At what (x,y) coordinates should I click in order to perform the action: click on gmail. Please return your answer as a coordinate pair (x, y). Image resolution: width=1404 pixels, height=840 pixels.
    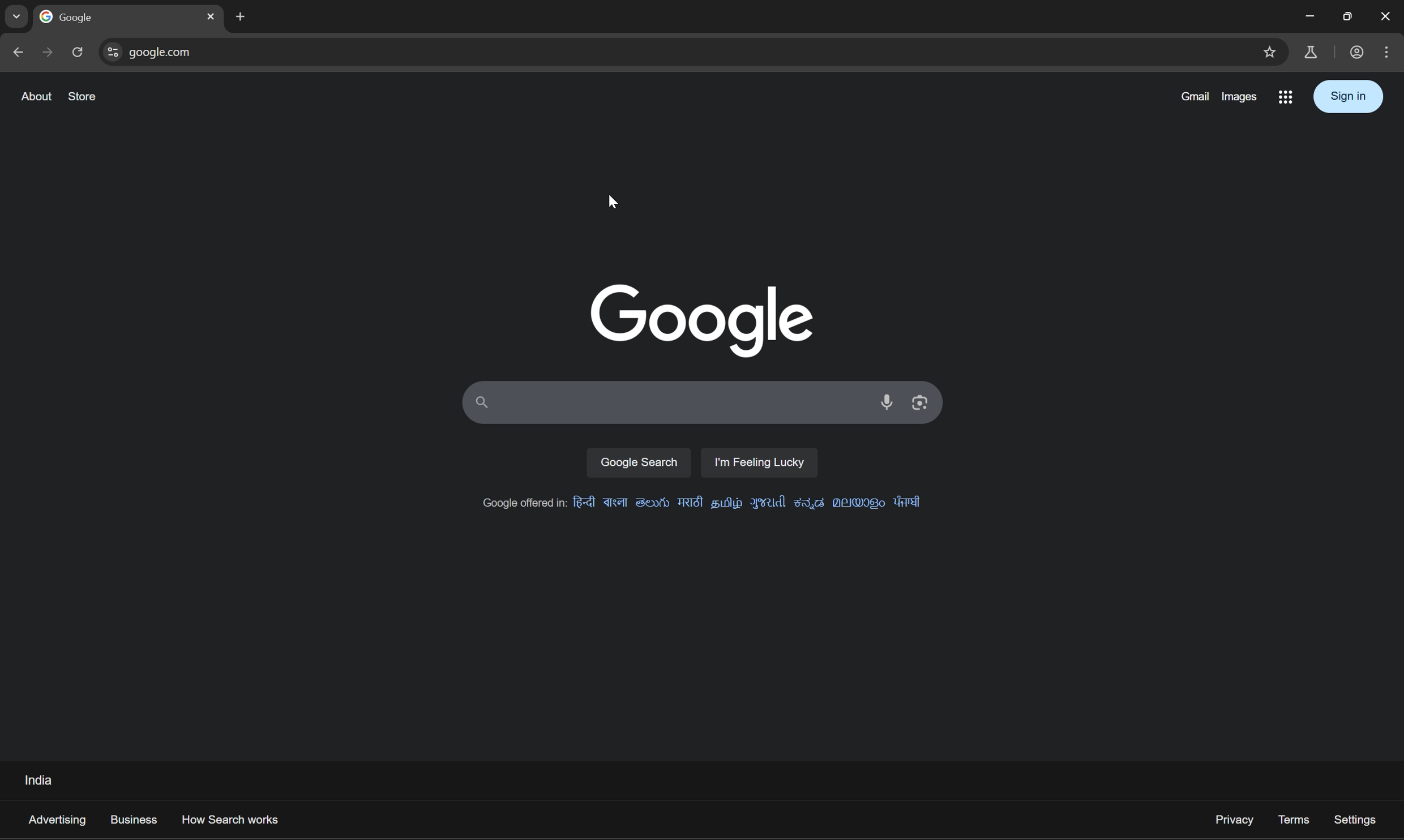
    Looking at the image, I should click on (1192, 97).